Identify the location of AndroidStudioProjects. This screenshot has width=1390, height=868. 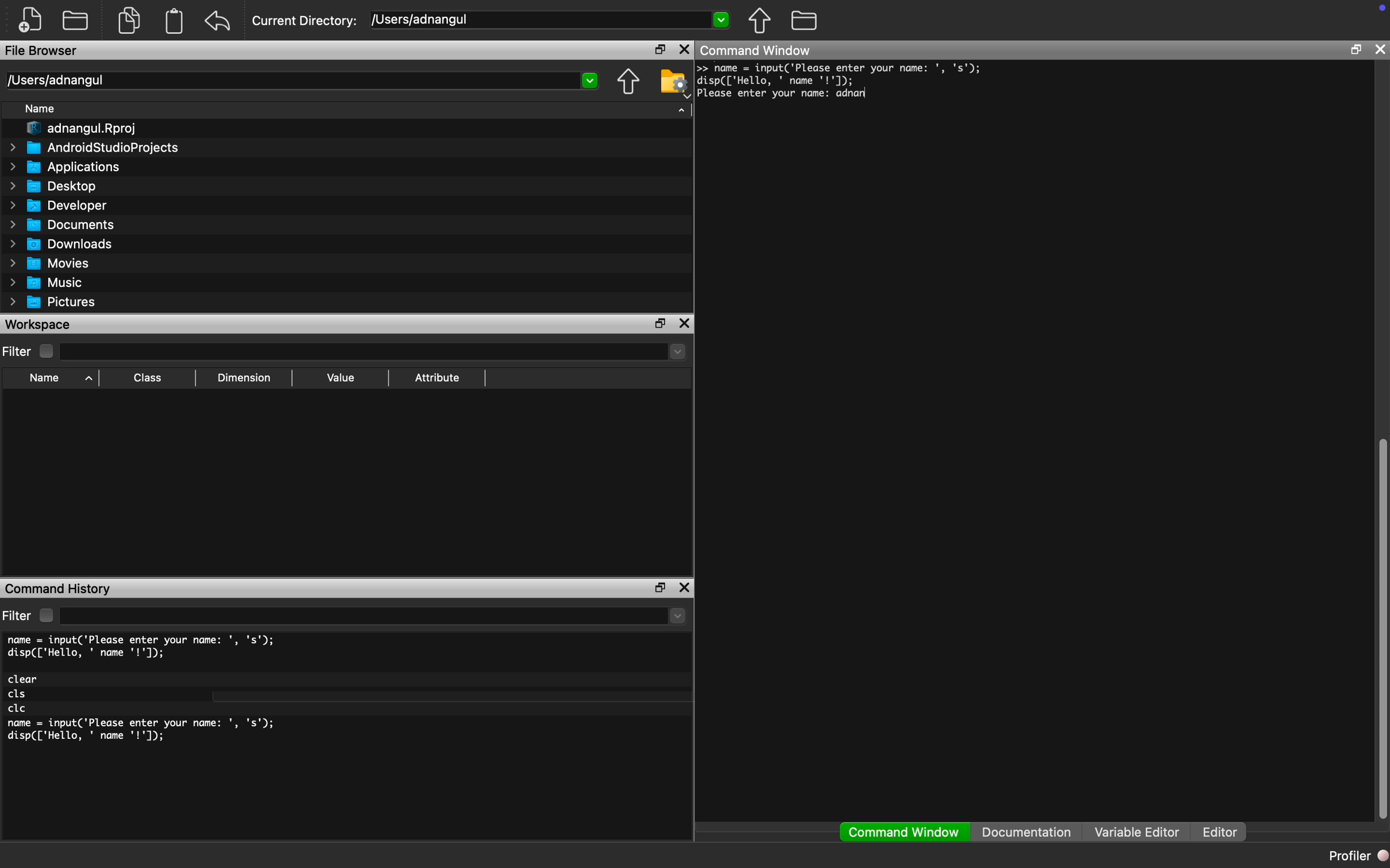
(94, 147).